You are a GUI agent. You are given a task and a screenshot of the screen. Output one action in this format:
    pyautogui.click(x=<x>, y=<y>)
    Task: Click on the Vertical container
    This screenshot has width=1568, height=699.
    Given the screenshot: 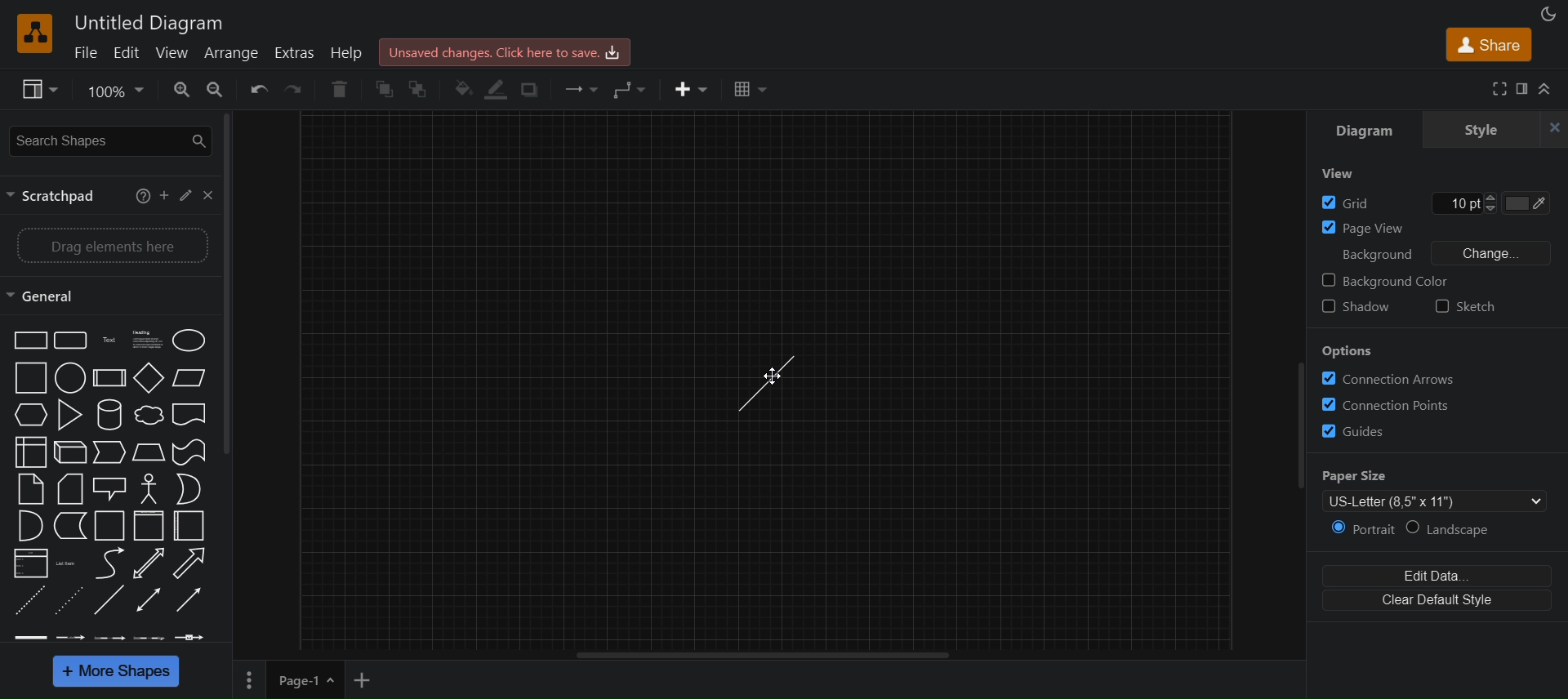 What is the action you would take?
    pyautogui.click(x=148, y=525)
    